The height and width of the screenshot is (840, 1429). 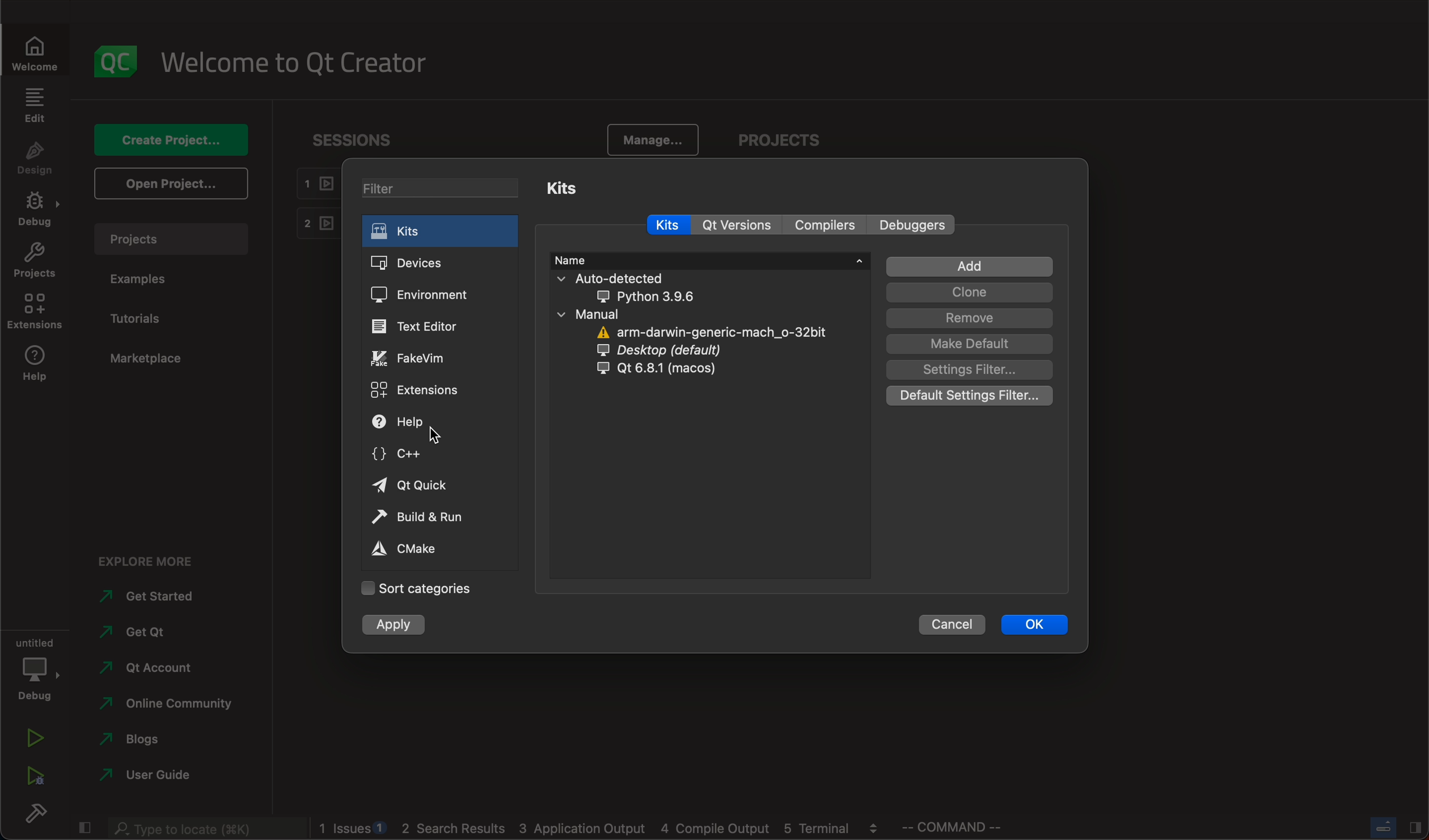 I want to click on blogs, so click(x=147, y=742).